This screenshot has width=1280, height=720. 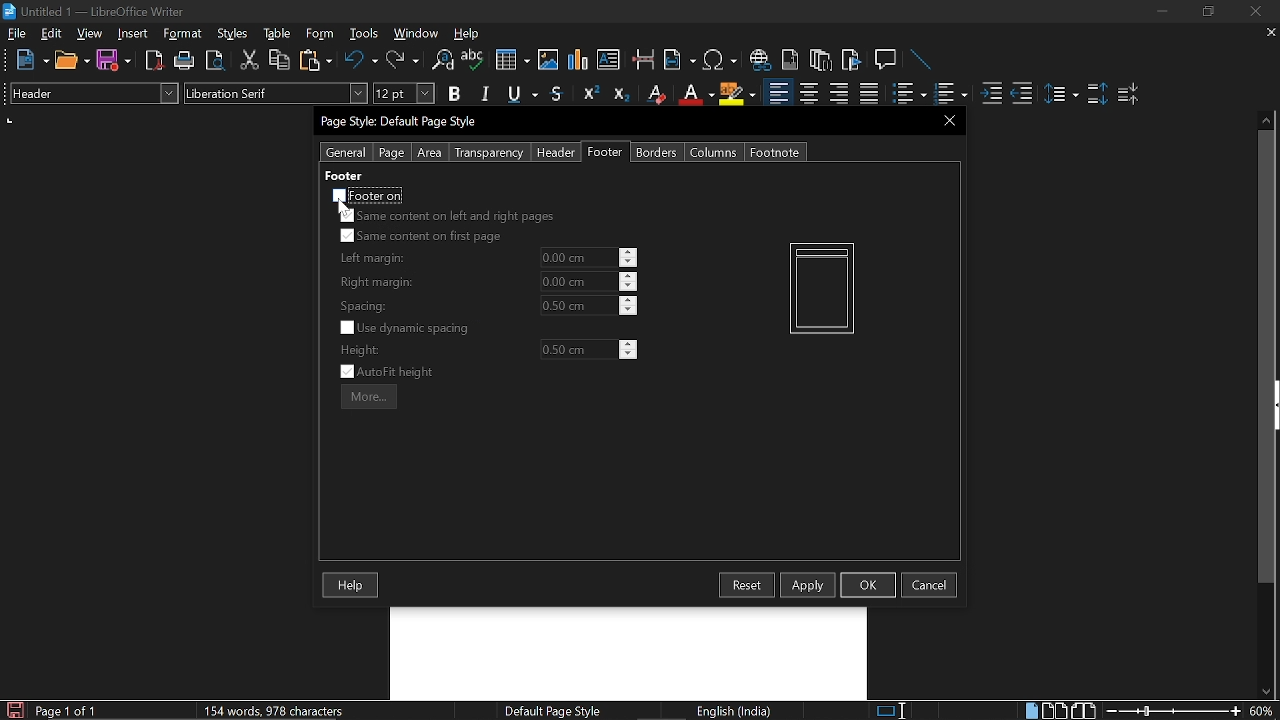 What do you see at coordinates (278, 34) in the screenshot?
I see `table` at bounding box center [278, 34].